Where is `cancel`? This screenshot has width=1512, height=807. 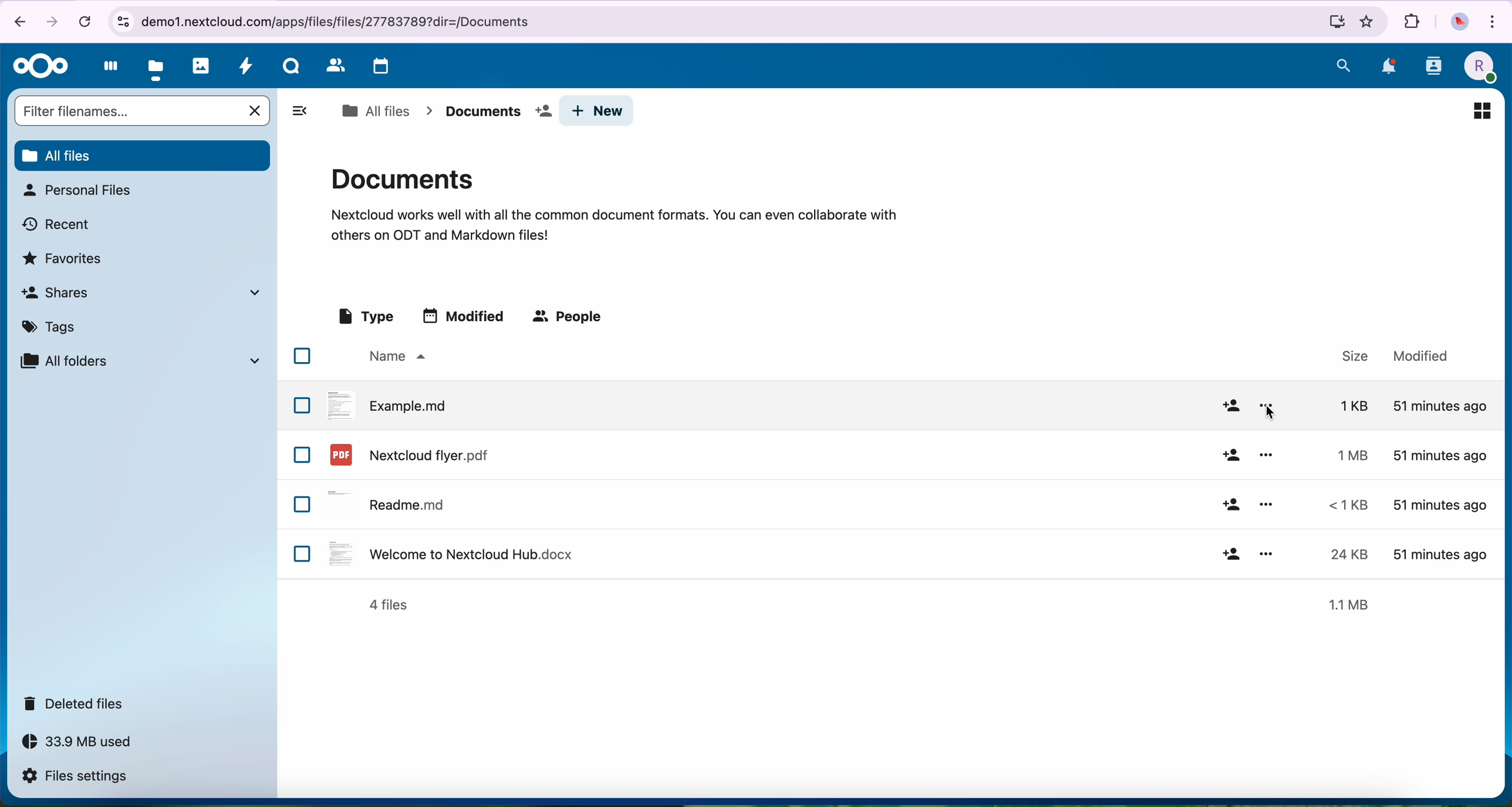
cancel is located at coordinates (256, 111).